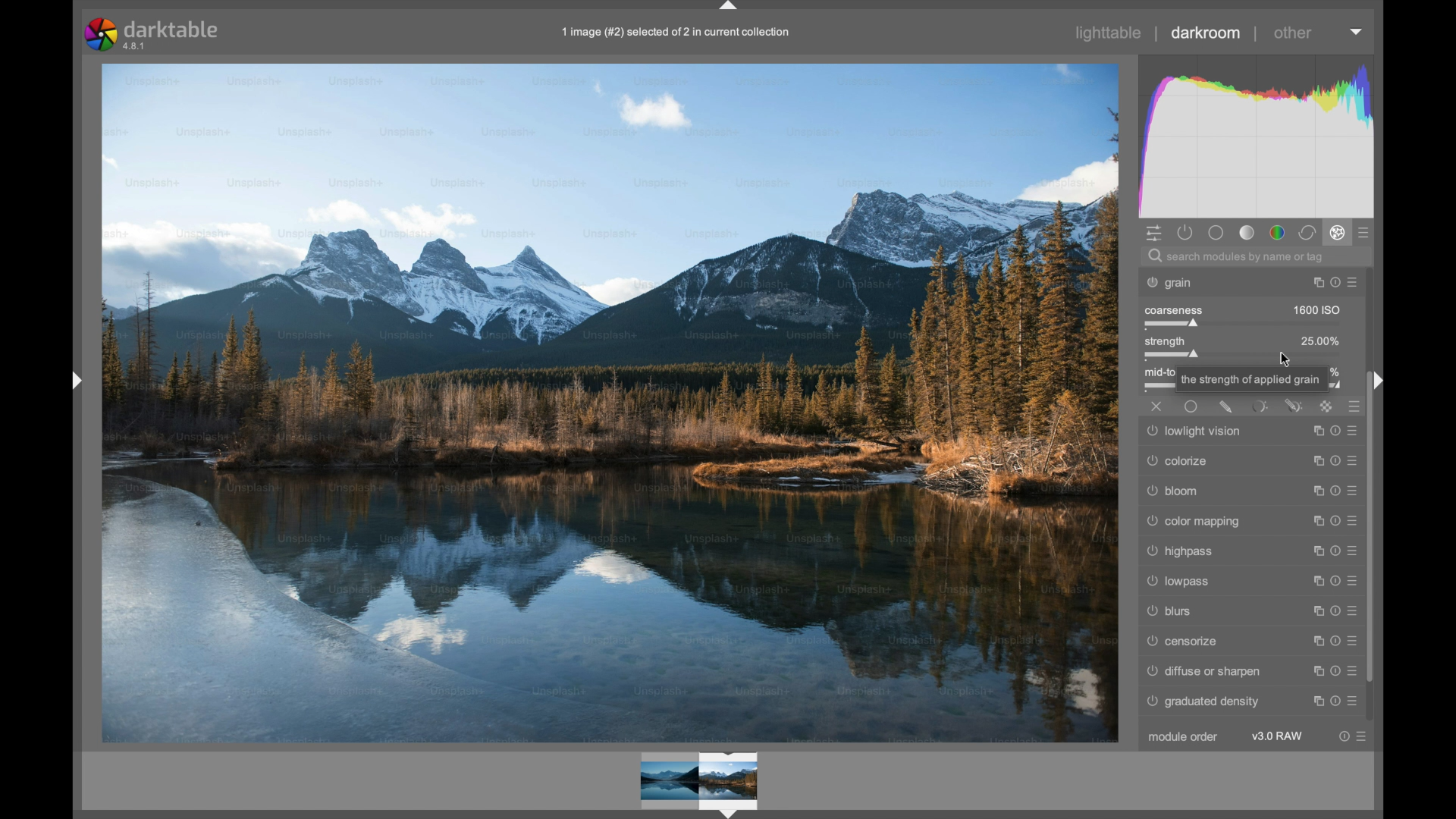 The height and width of the screenshot is (819, 1456). Describe the element at coordinates (1191, 406) in the screenshot. I see `uniformly` at that location.